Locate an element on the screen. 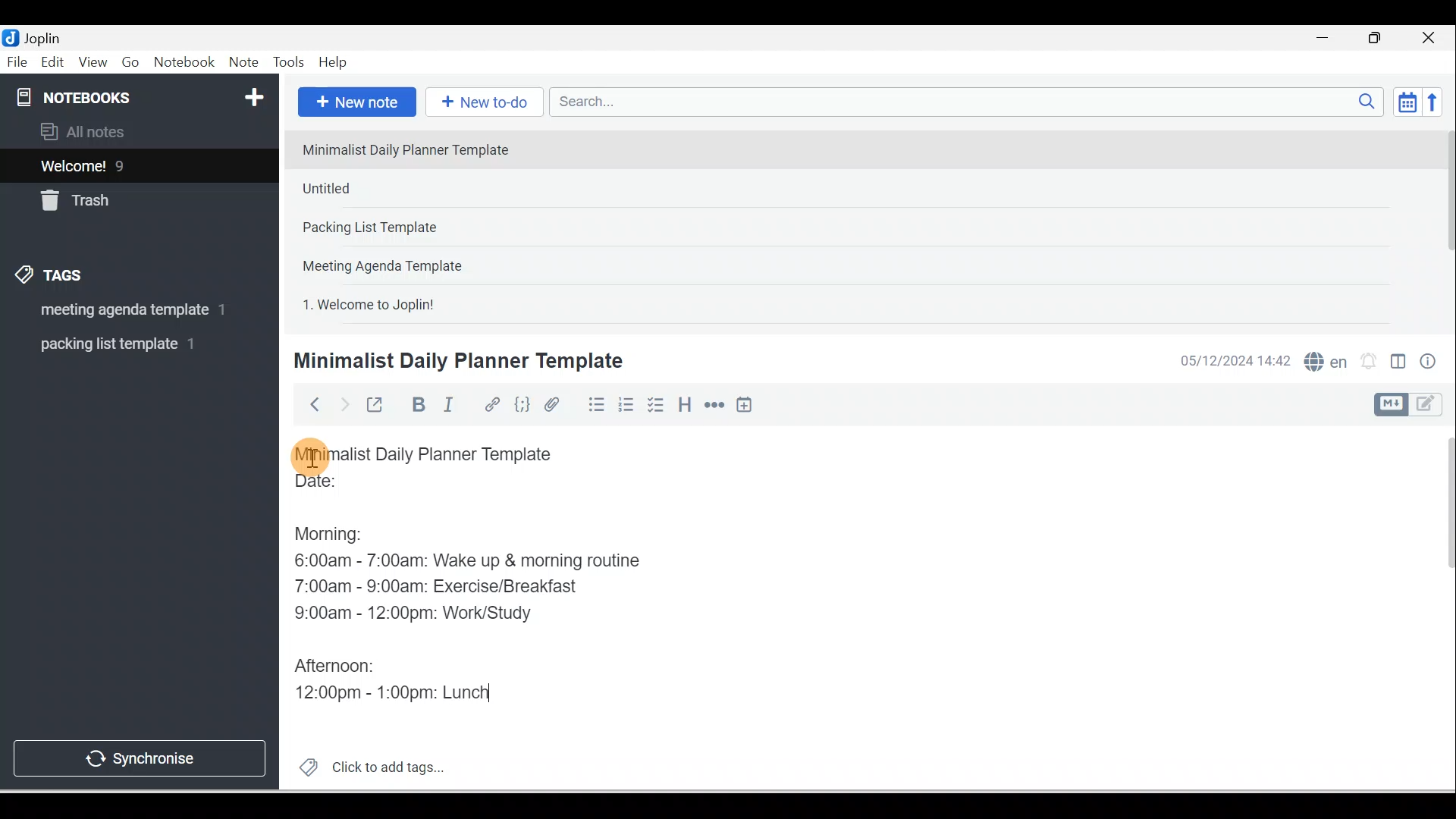  Synchronise is located at coordinates (138, 755).